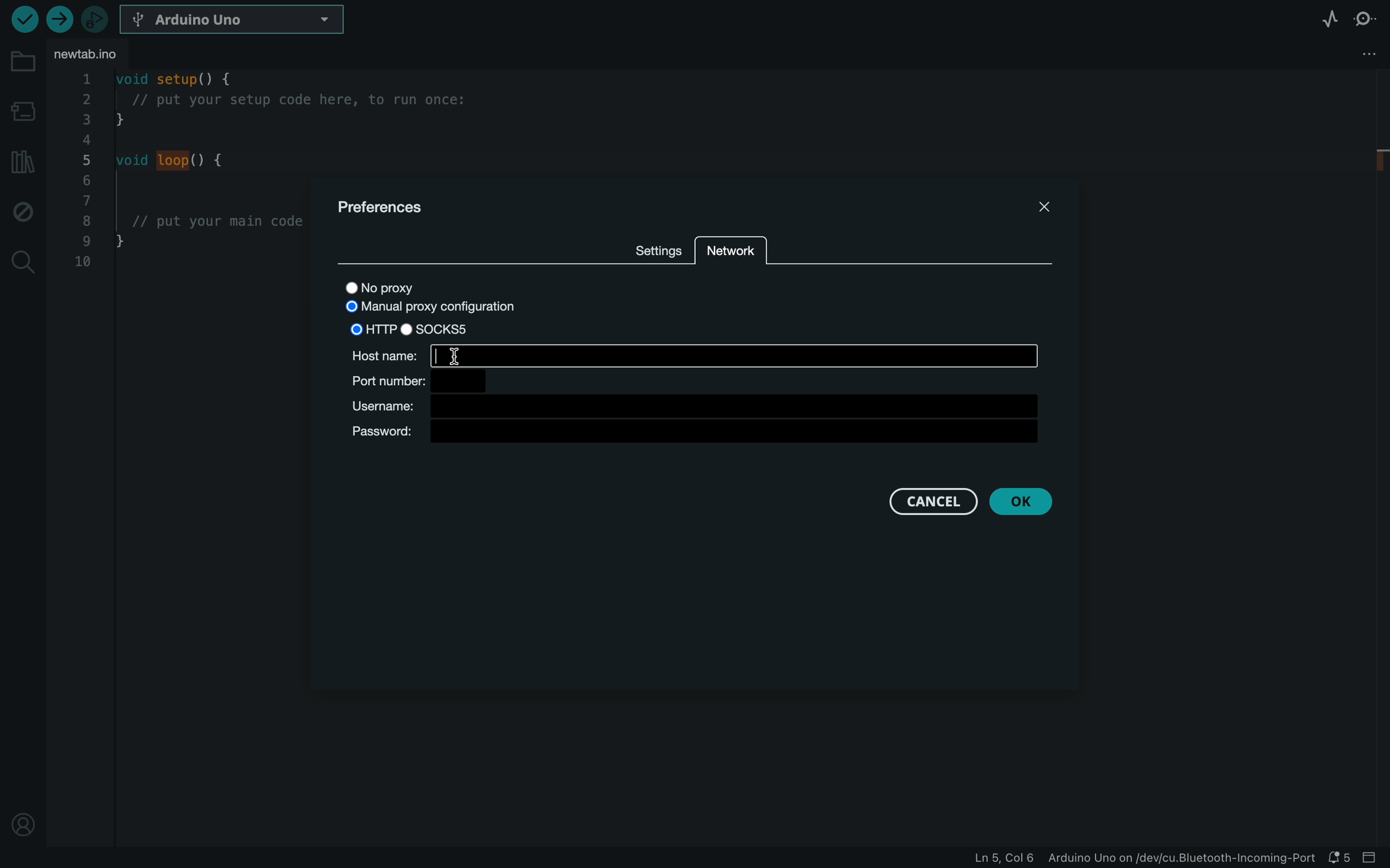 This screenshot has height=868, width=1390. I want to click on ok, so click(1022, 502).